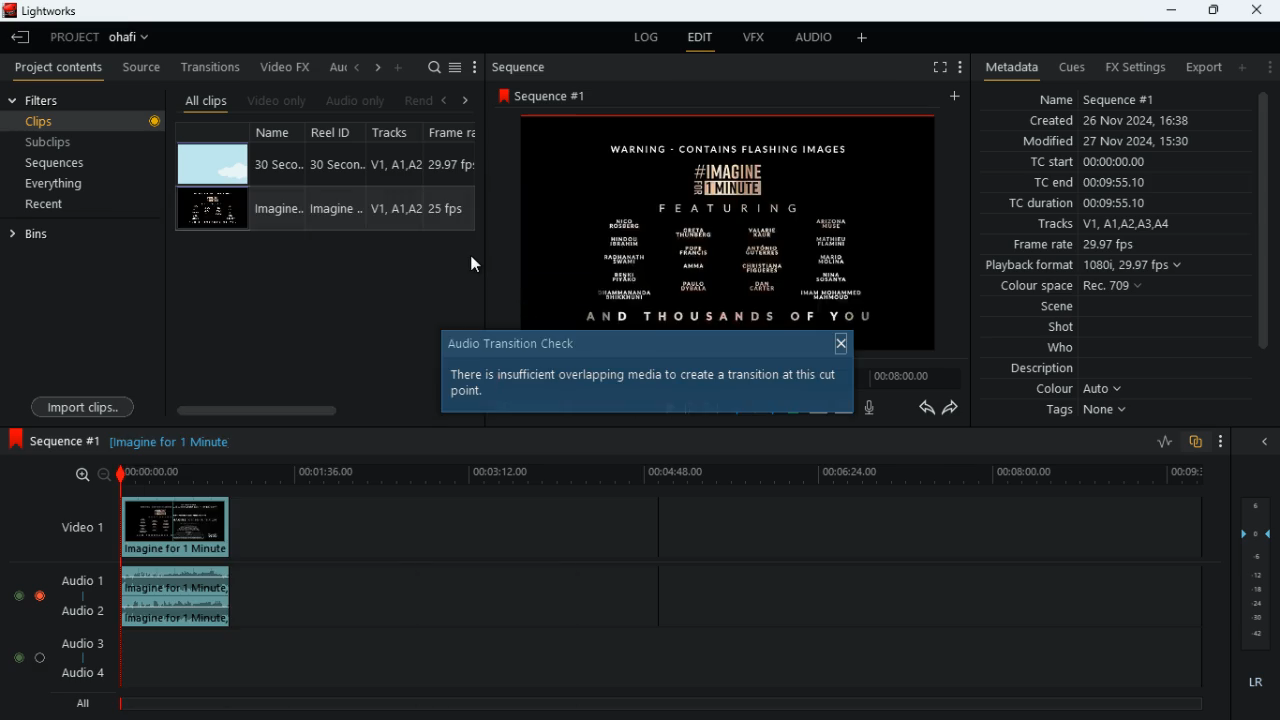 This screenshot has height=720, width=1280. I want to click on audio only, so click(357, 101).